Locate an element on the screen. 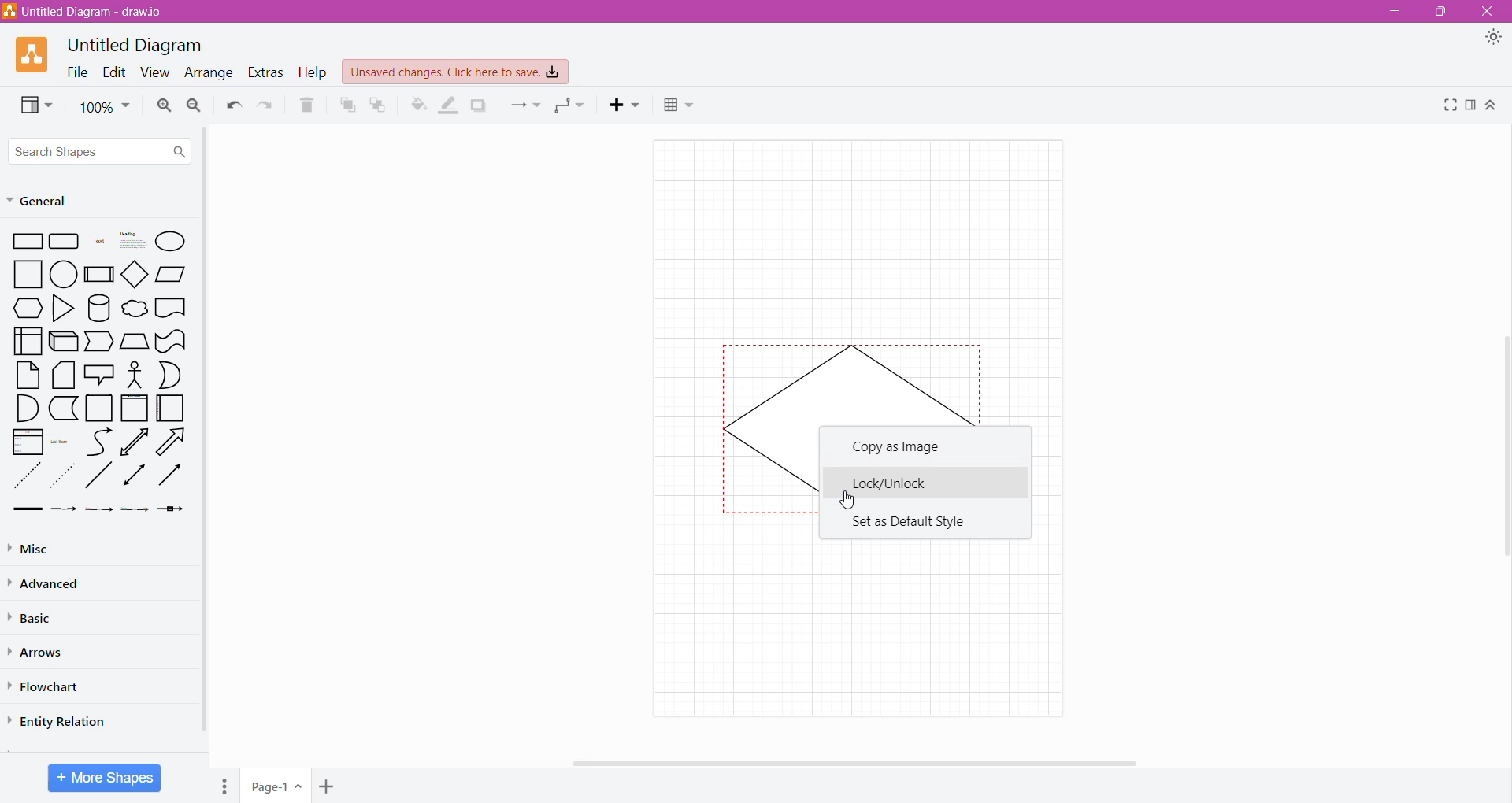 The width and height of the screenshot is (1512, 803). Copy Image is located at coordinates (902, 449).